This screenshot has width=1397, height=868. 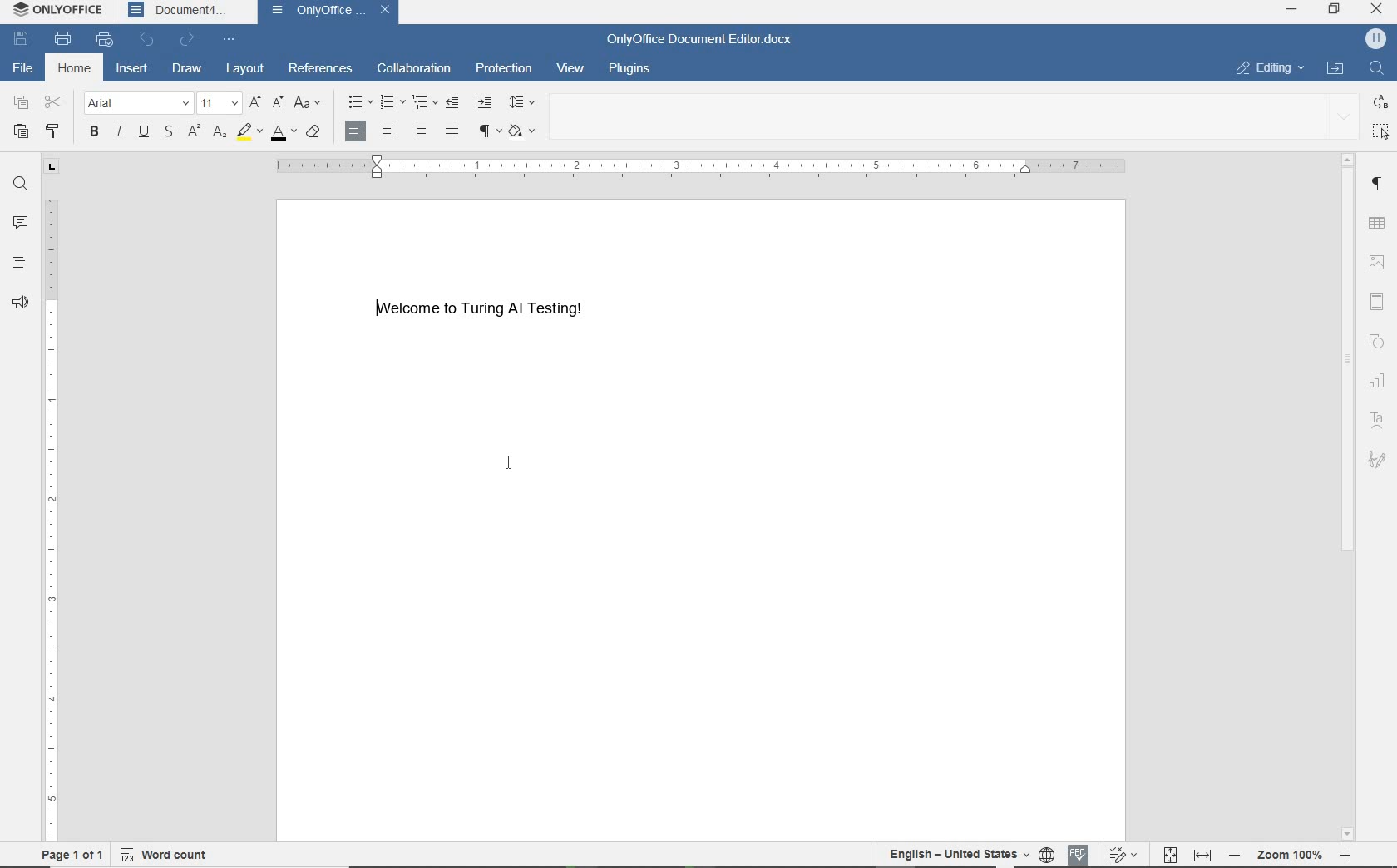 I want to click on fit to page, so click(x=1169, y=856).